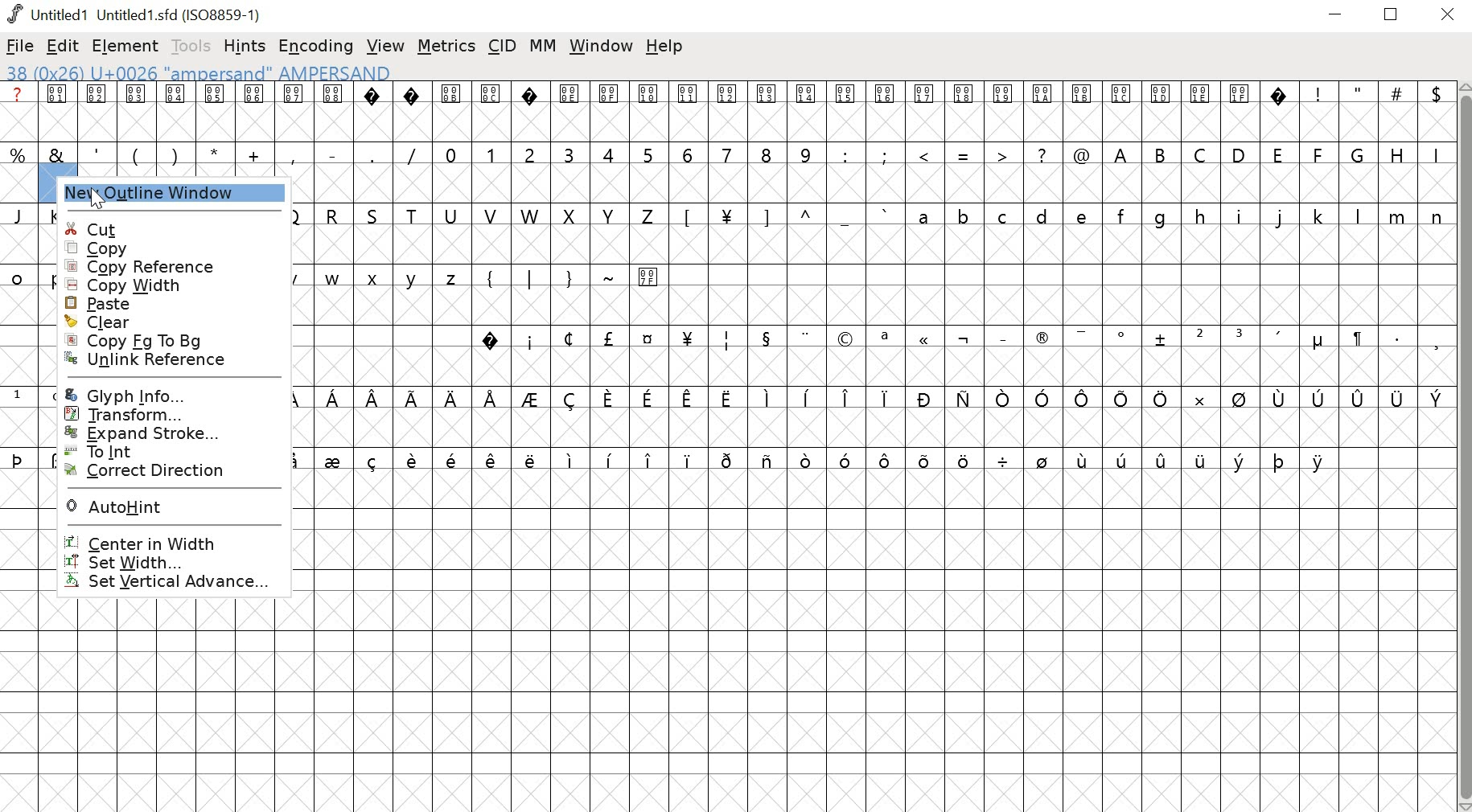  Describe the element at coordinates (333, 280) in the screenshot. I see `w` at that location.